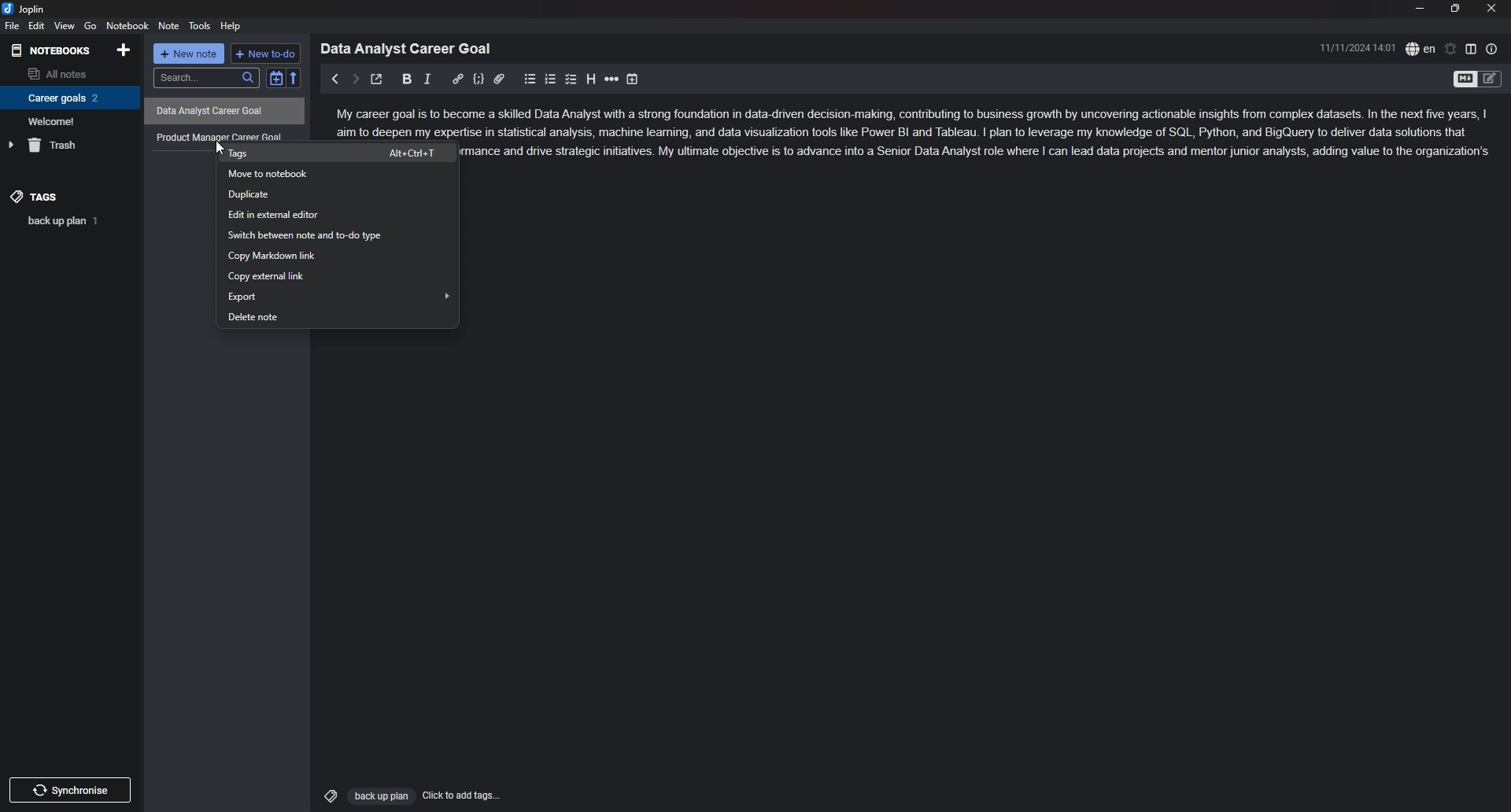 Image resolution: width=1511 pixels, height=812 pixels. Describe the element at coordinates (334, 317) in the screenshot. I see `delete note` at that location.